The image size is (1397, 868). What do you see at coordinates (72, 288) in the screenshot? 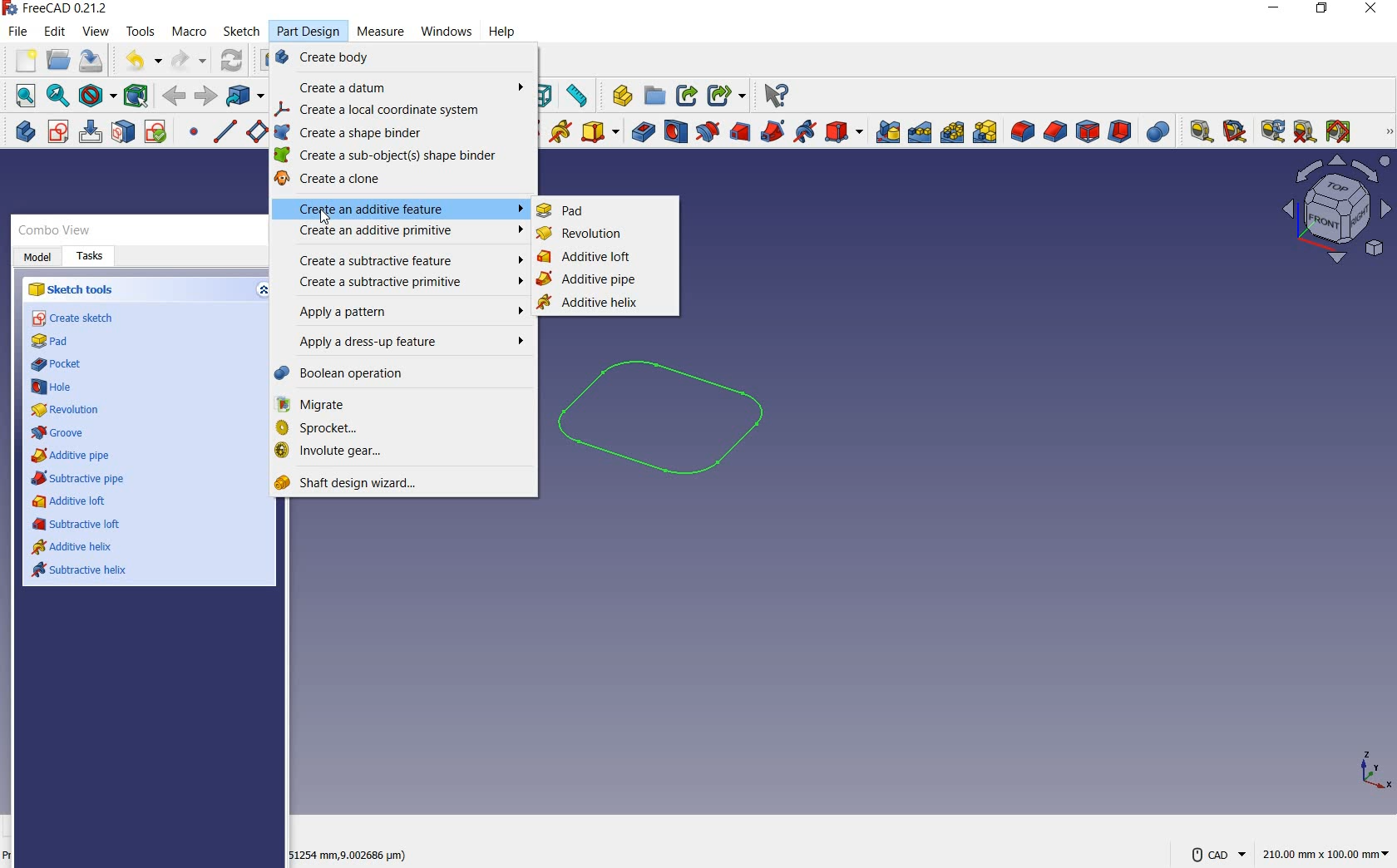
I see `sketch tools` at bounding box center [72, 288].